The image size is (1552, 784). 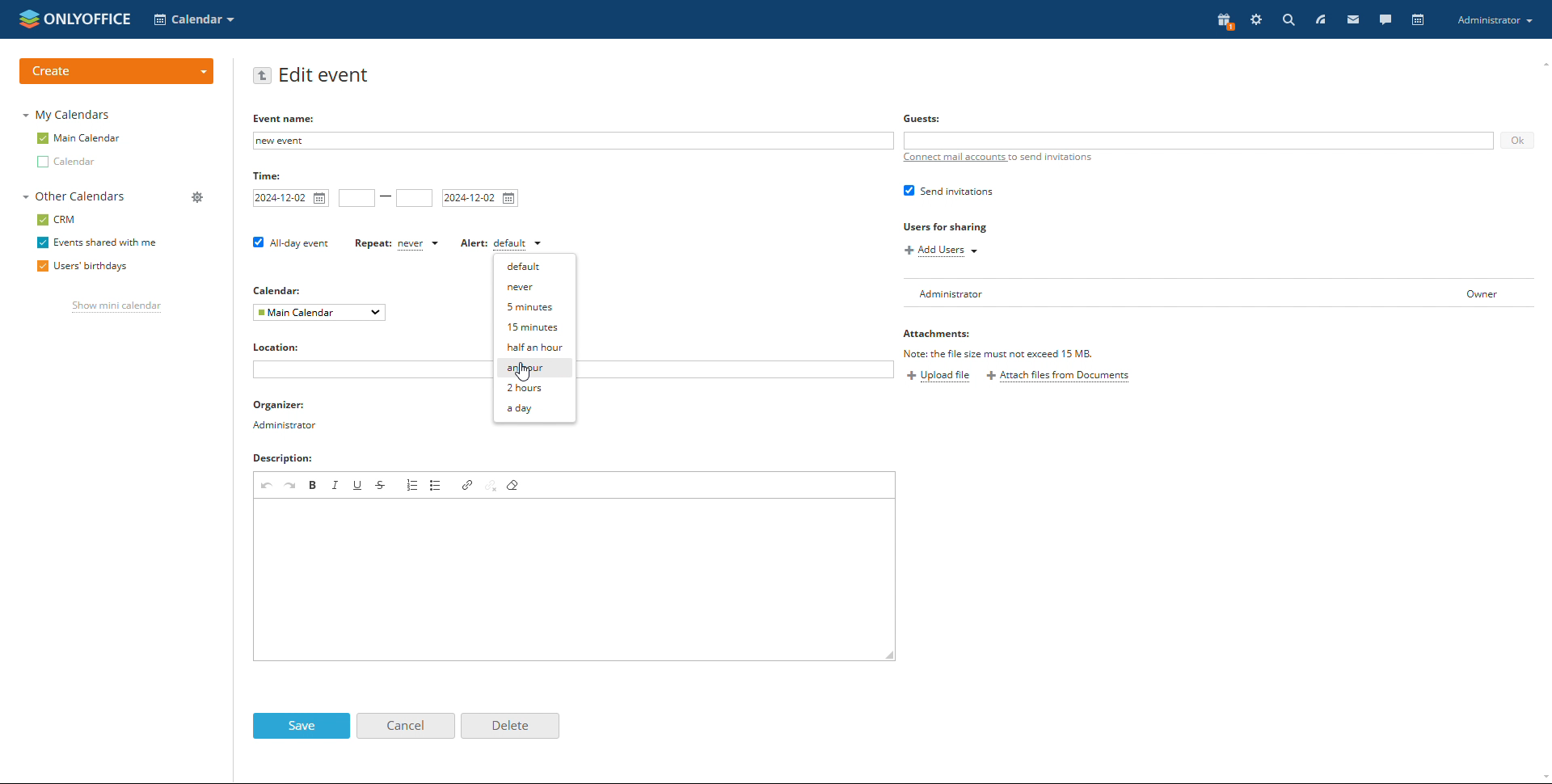 I want to click on time:, so click(x=272, y=176).